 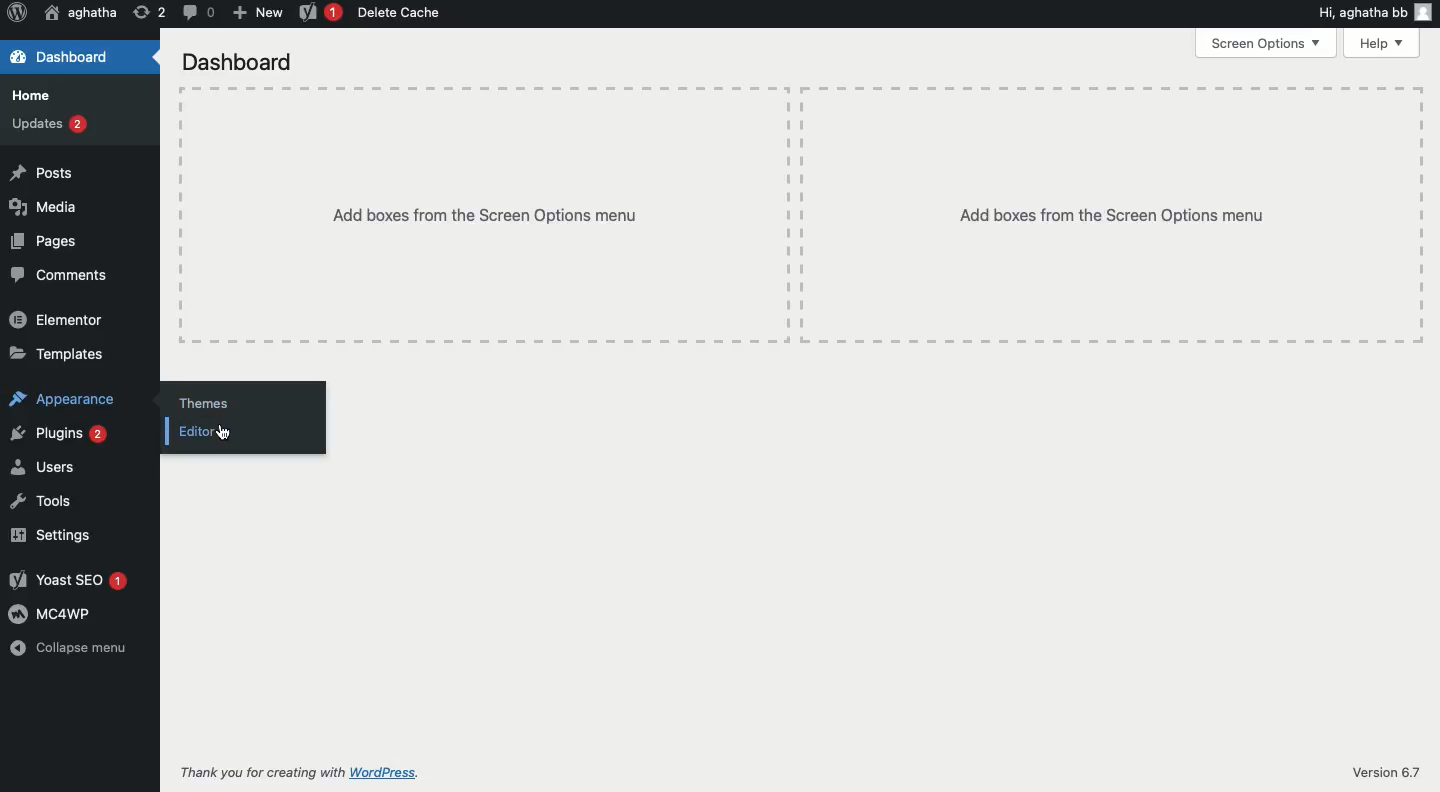 What do you see at coordinates (223, 434) in the screenshot?
I see `cursor` at bounding box center [223, 434].